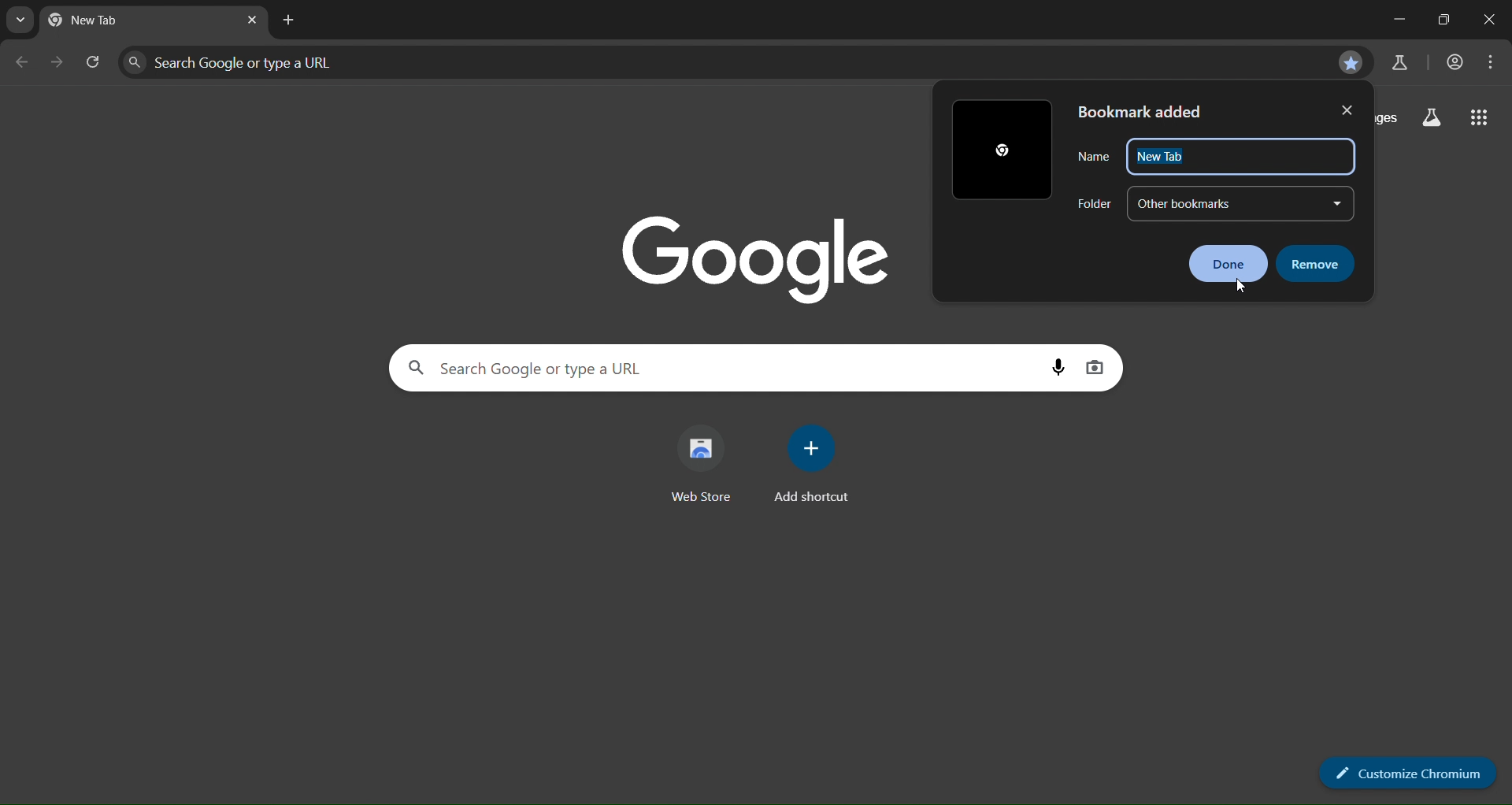 This screenshot has height=805, width=1512. What do you see at coordinates (1434, 118) in the screenshot?
I see `search labs` at bounding box center [1434, 118].